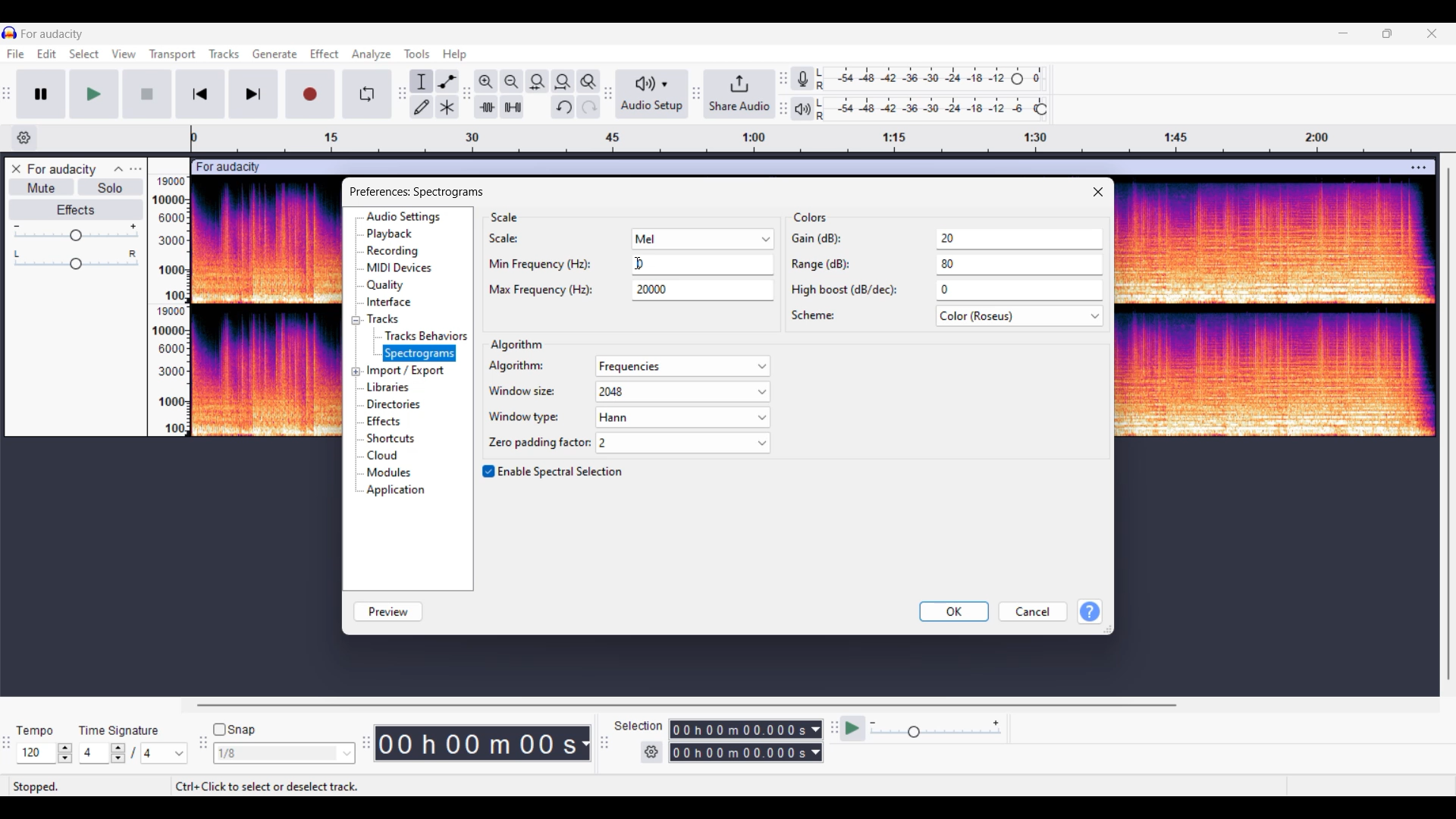 The height and width of the screenshot is (819, 1456). I want to click on cloud, so click(388, 457).